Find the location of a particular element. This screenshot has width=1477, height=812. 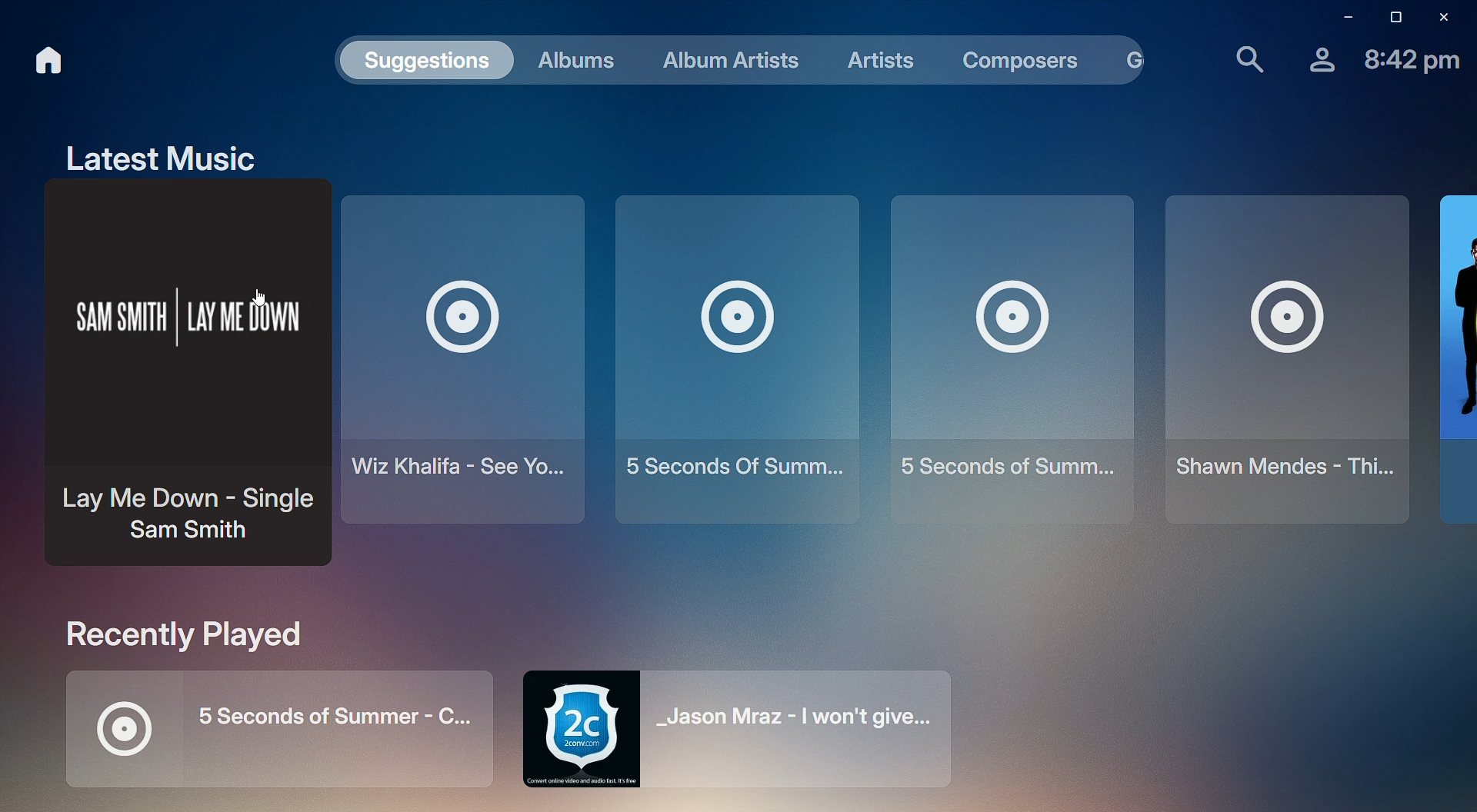

Poster is located at coordinates (1459, 356).